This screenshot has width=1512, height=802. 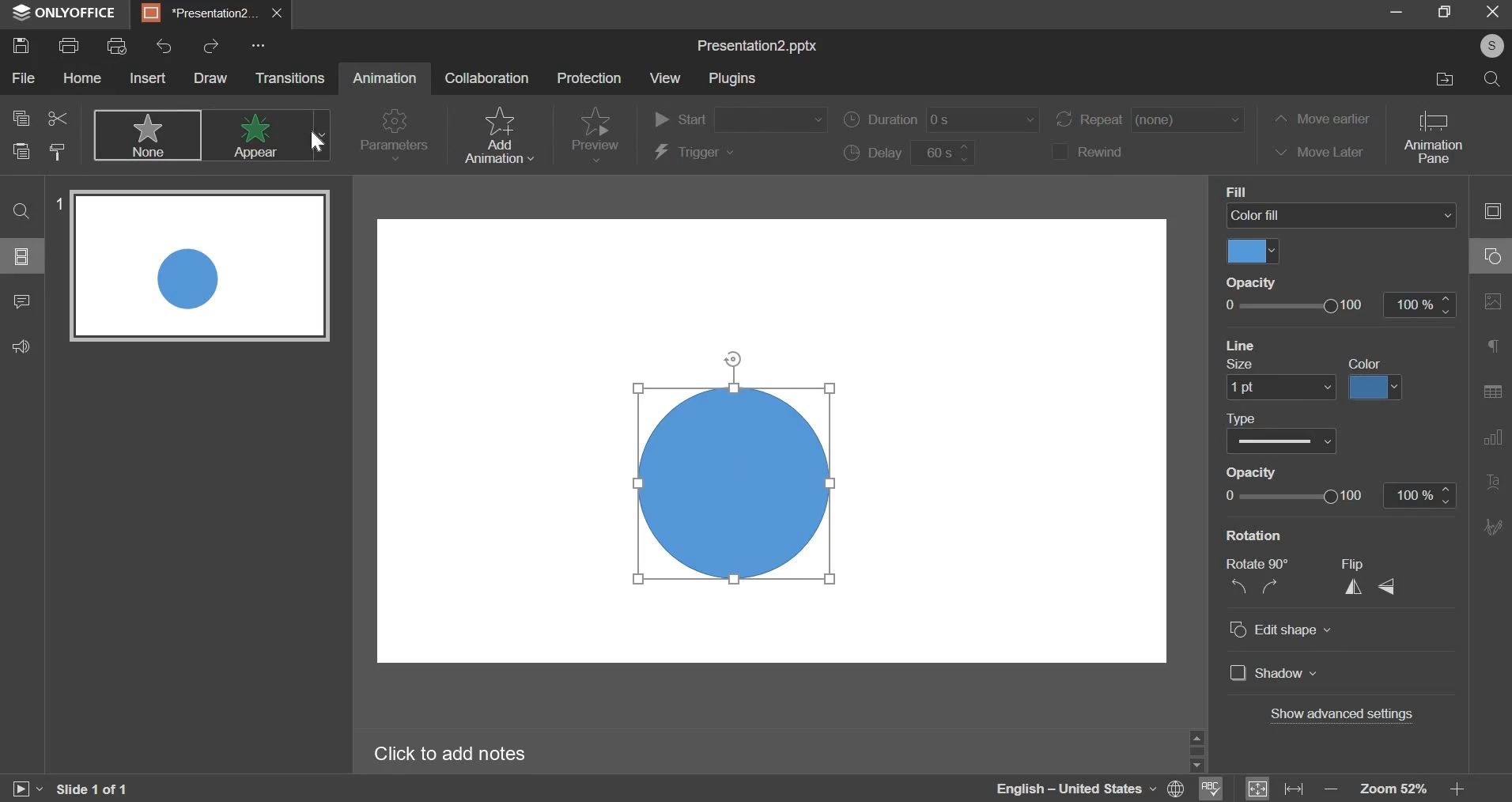 What do you see at coordinates (24, 347) in the screenshot?
I see `feedback` at bounding box center [24, 347].